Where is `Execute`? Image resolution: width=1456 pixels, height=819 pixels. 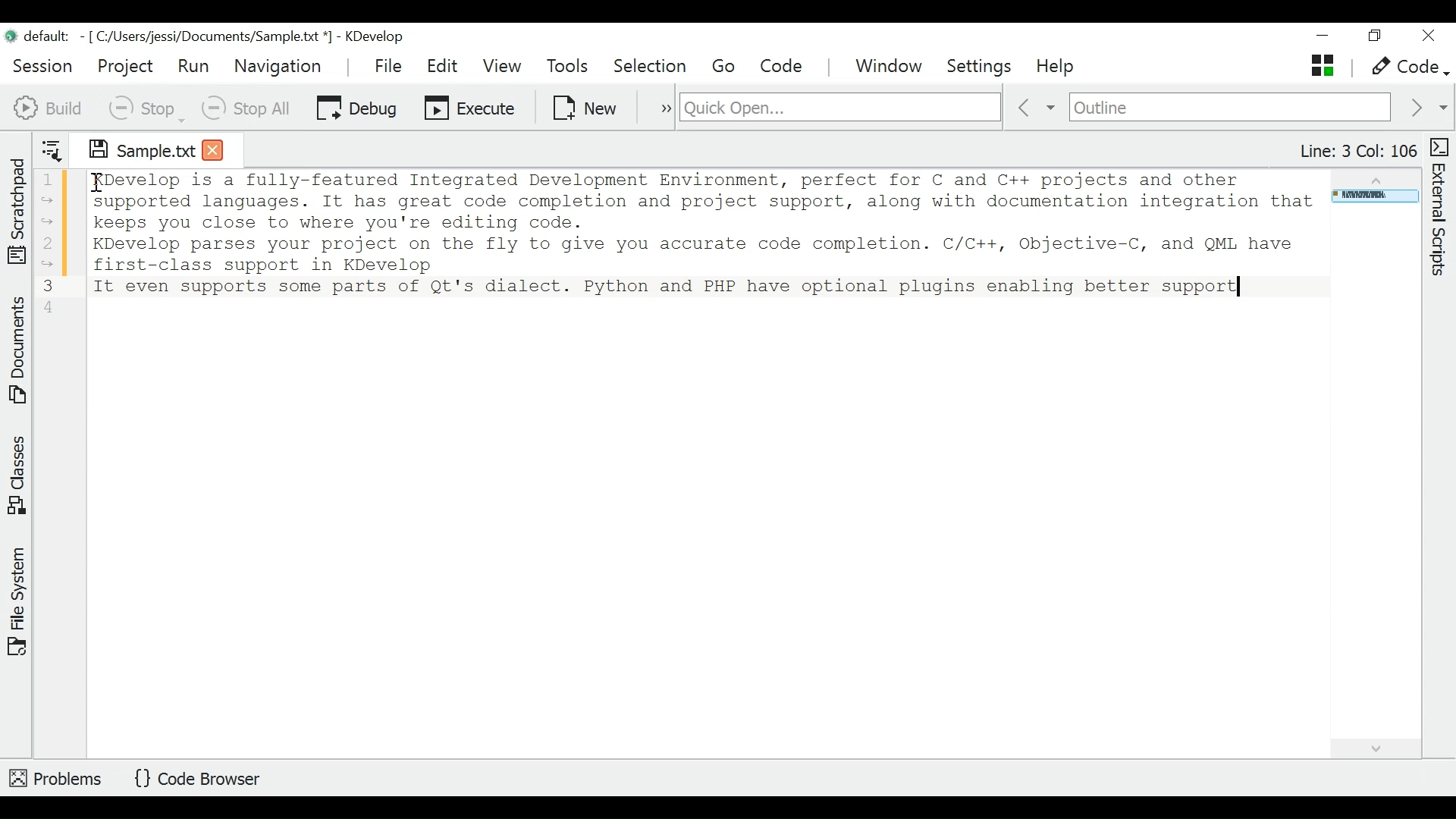
Execute is located at coordinates (471, 106).